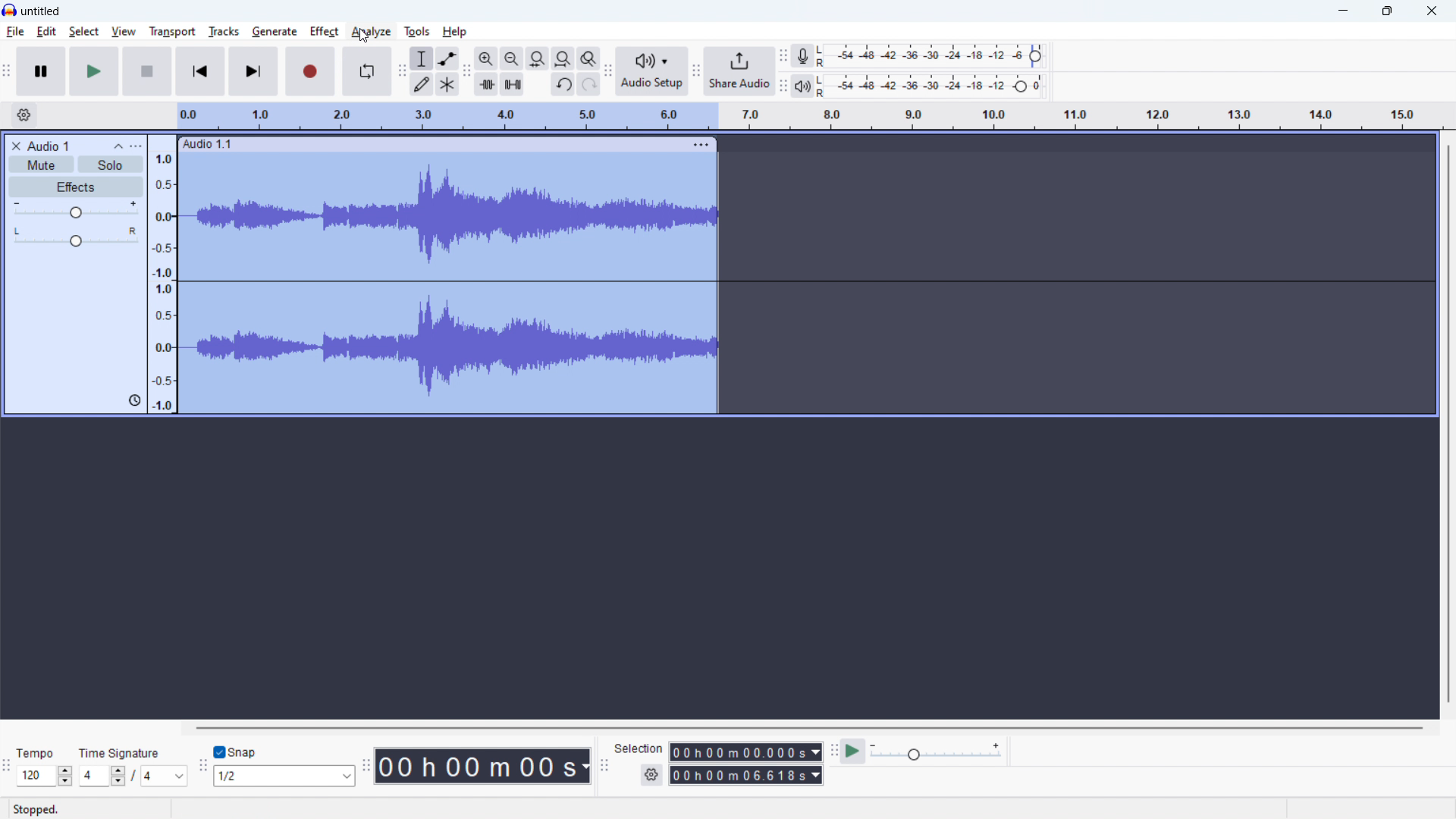 This screenshot has height=819, width=1456. What do you see at coordinates (49, 146) in the screenshot?
I see `track title` at bounding box center [49, 146].